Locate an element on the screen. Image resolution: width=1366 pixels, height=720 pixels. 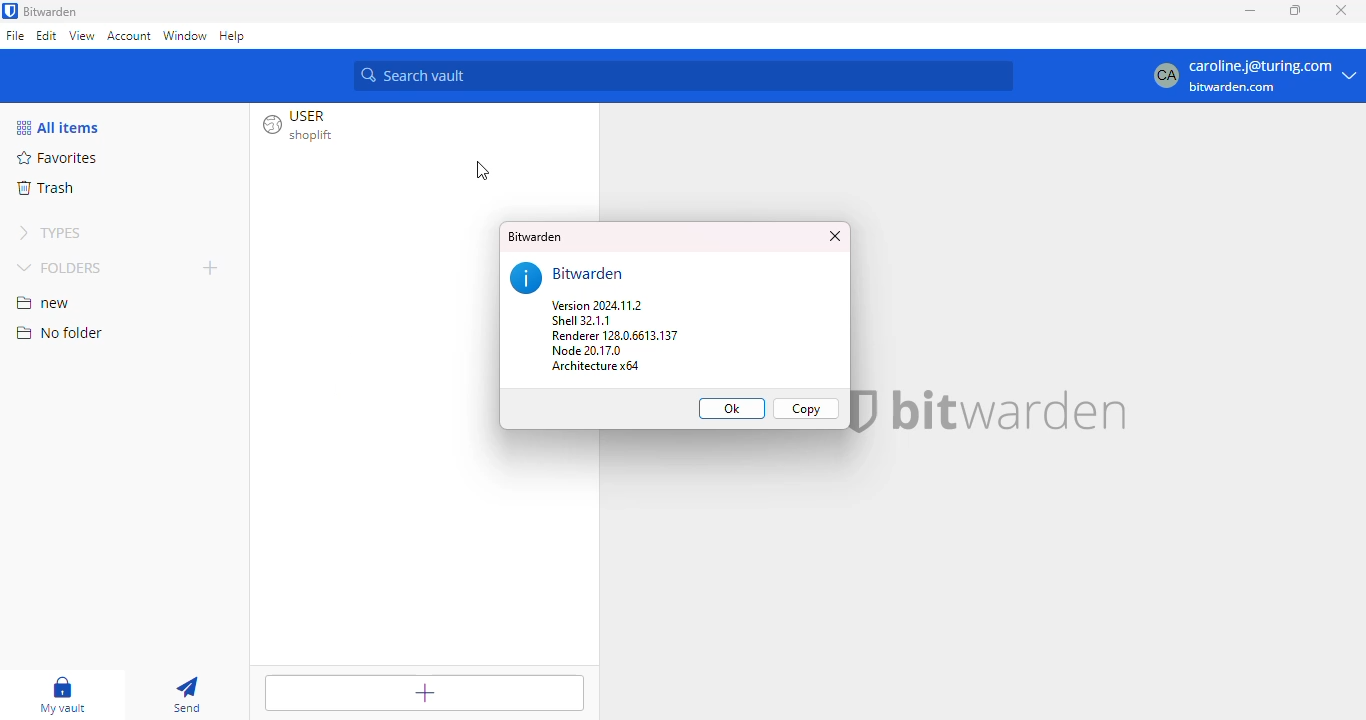
USER shoplift is located at coordinates (306, 128).